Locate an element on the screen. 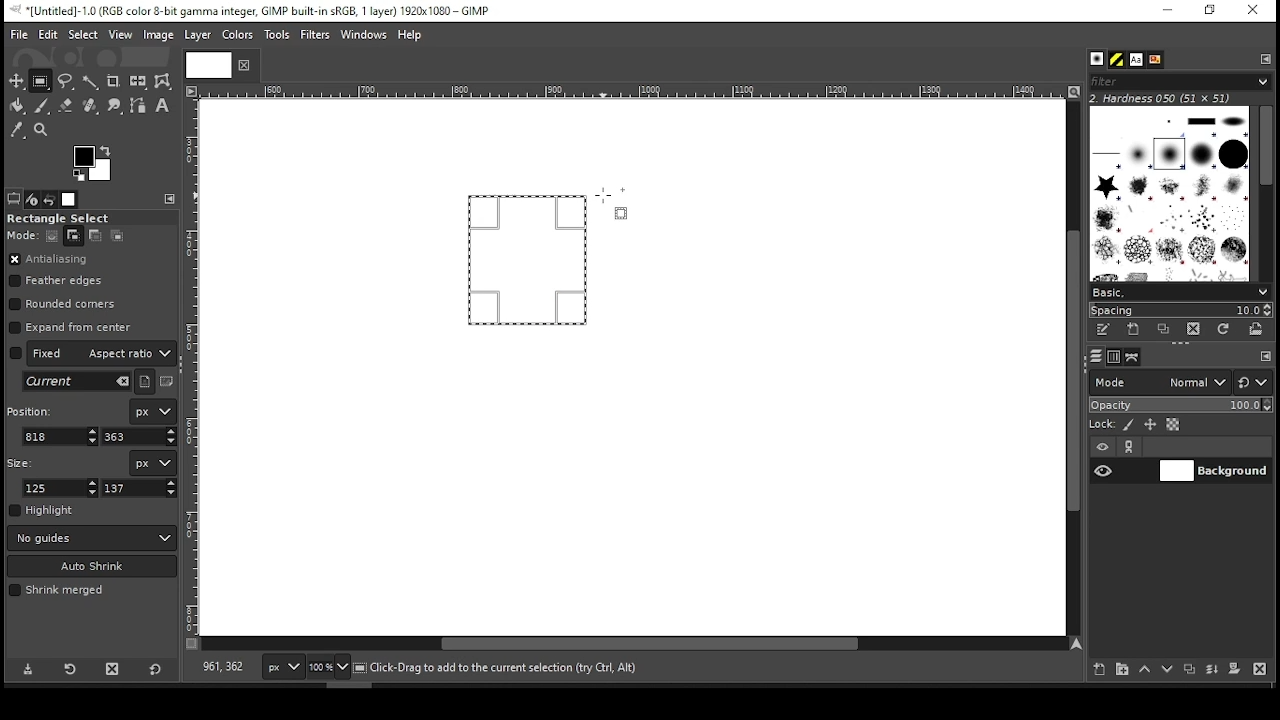 This screenshot has height=720, width=1280. scroll bar is located at coordinates (634, 645).